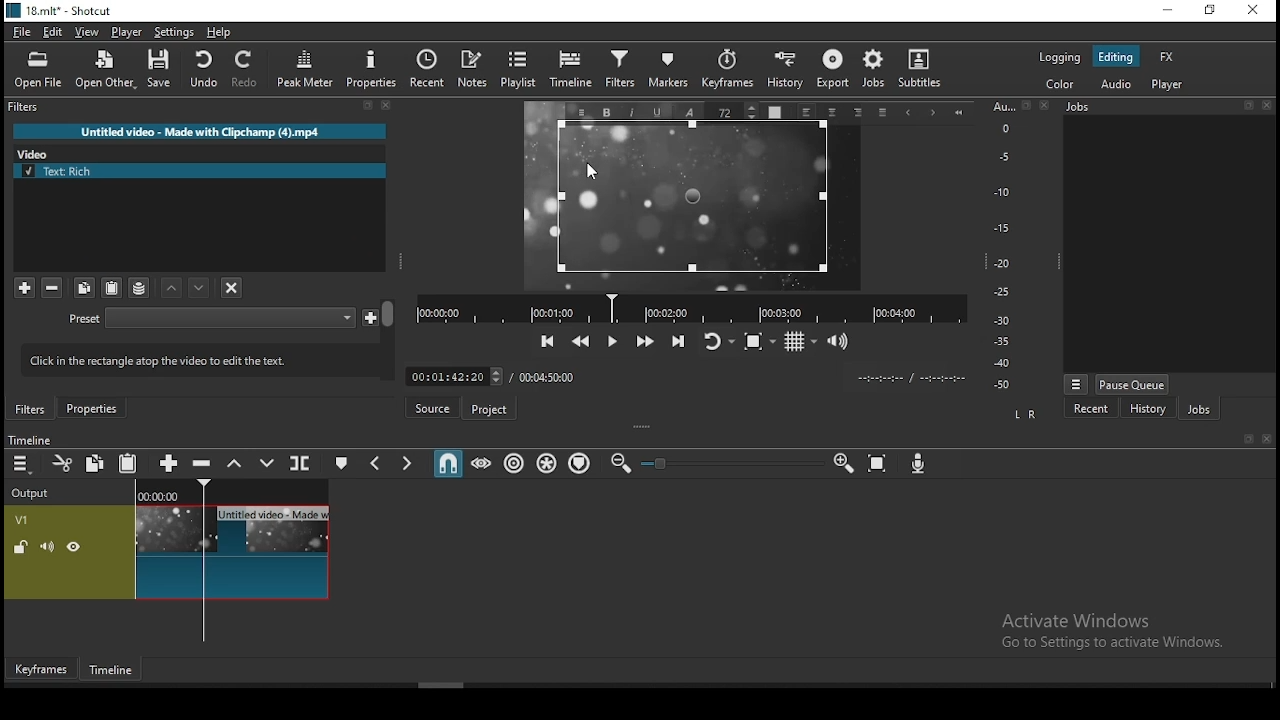  I want to click on ripple, so click(513, 463).